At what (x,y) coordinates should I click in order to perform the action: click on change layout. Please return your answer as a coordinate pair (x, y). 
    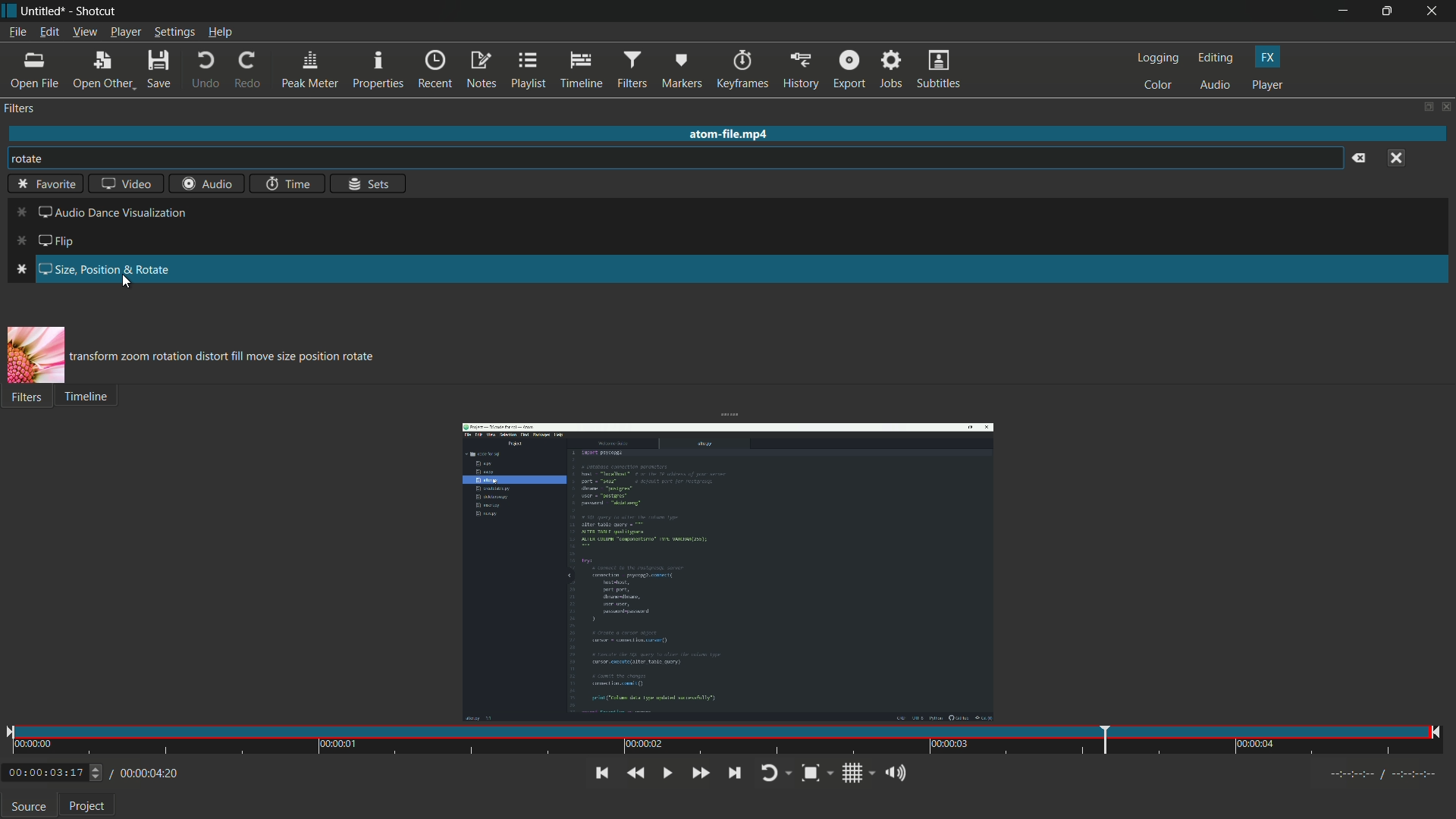
    Looking at the image, I should click on (1423, 105).